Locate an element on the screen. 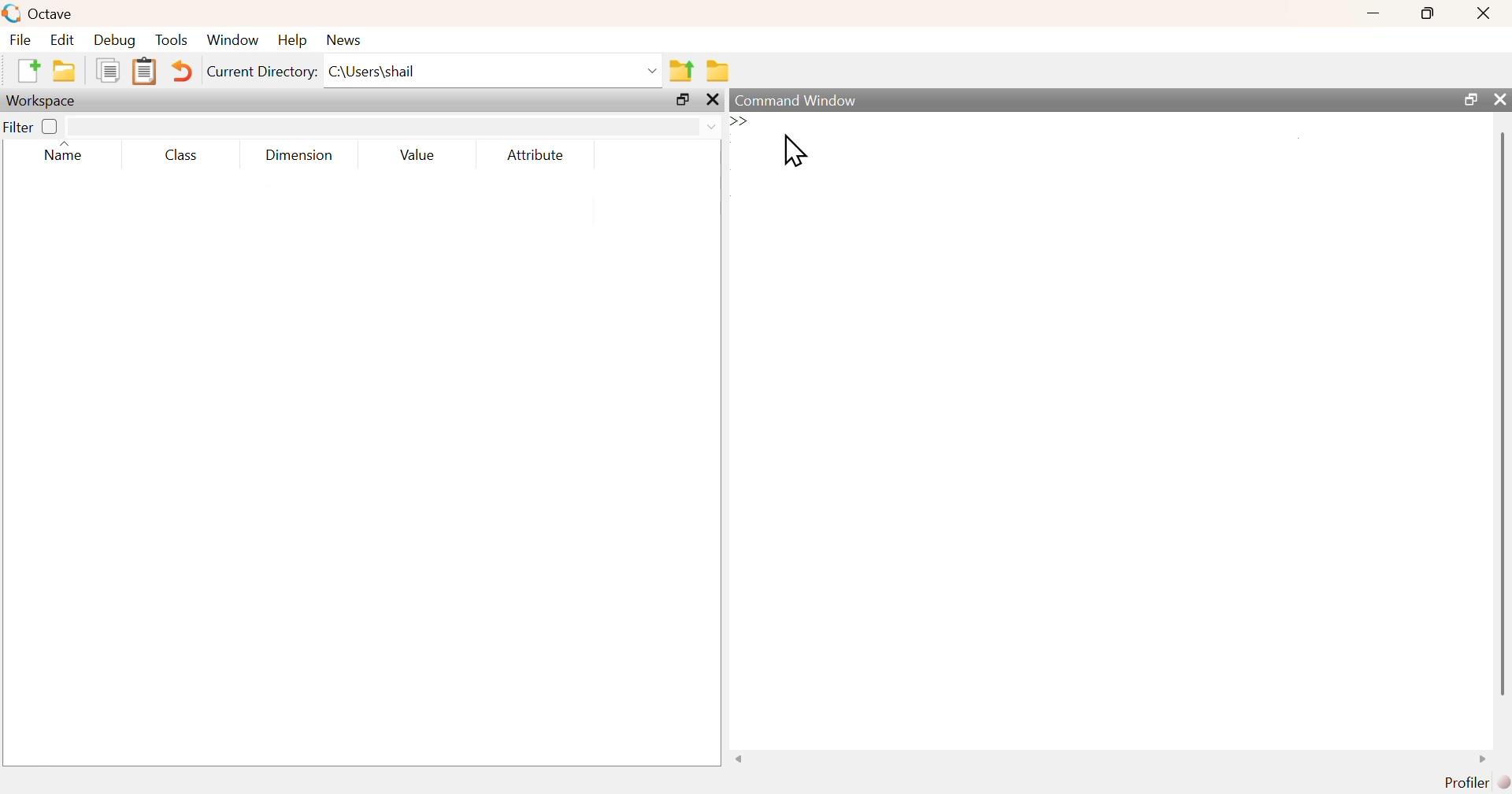 The image size is (1512, 794). Edit is located at coordinates (61, 39).